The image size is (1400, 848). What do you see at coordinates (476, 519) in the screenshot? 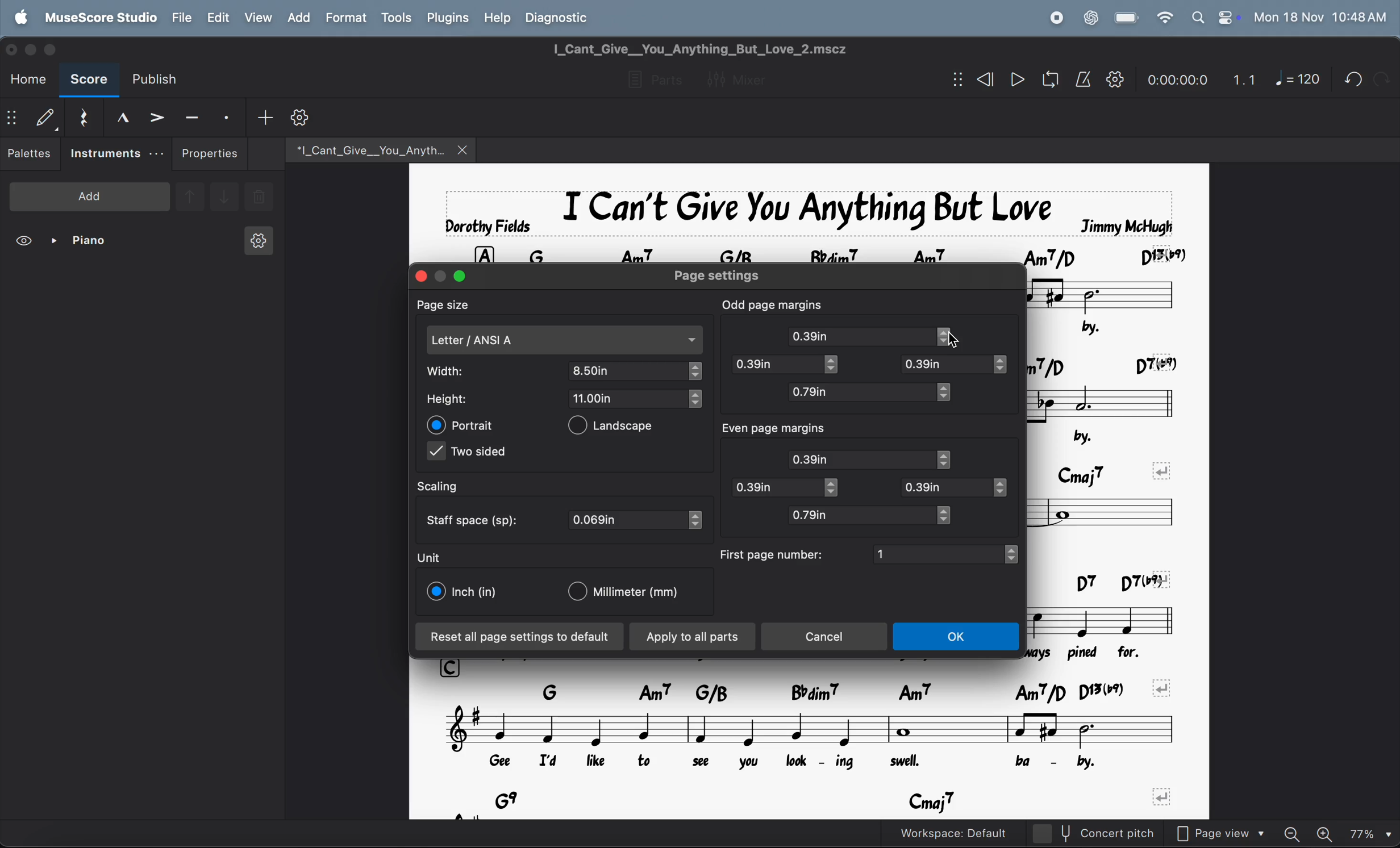
I see `staff space (sp)` at bounding box center [476, 519].